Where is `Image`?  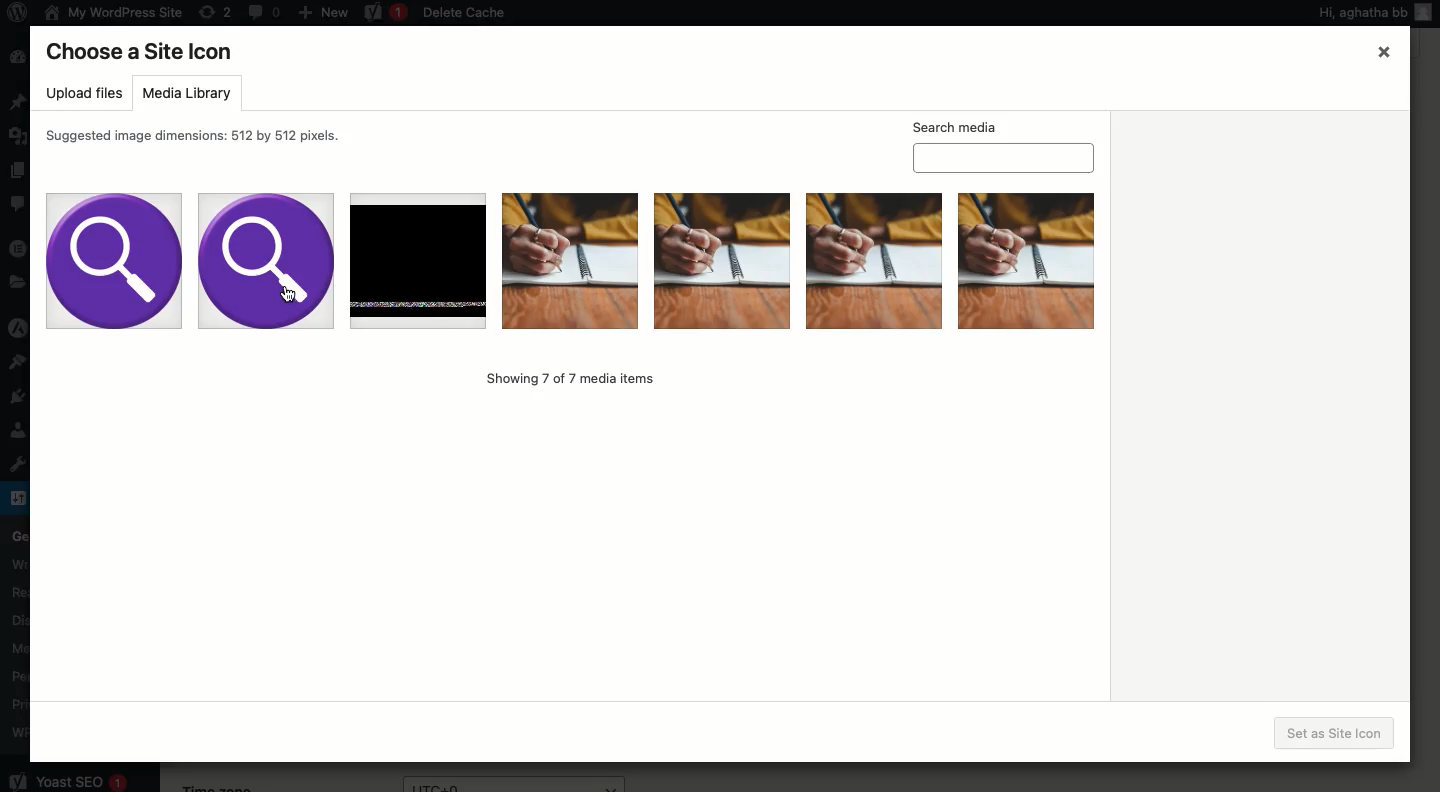
Image is located at coordinates (719, 260).